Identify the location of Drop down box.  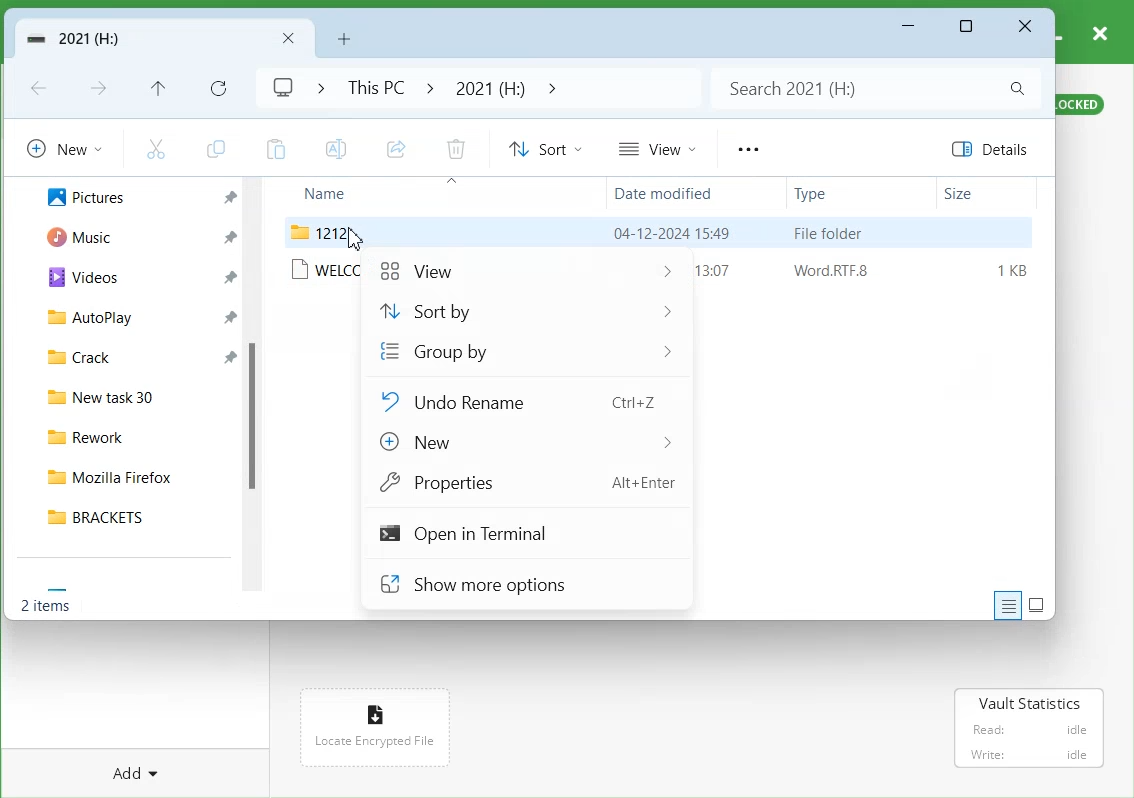
(430, 87).